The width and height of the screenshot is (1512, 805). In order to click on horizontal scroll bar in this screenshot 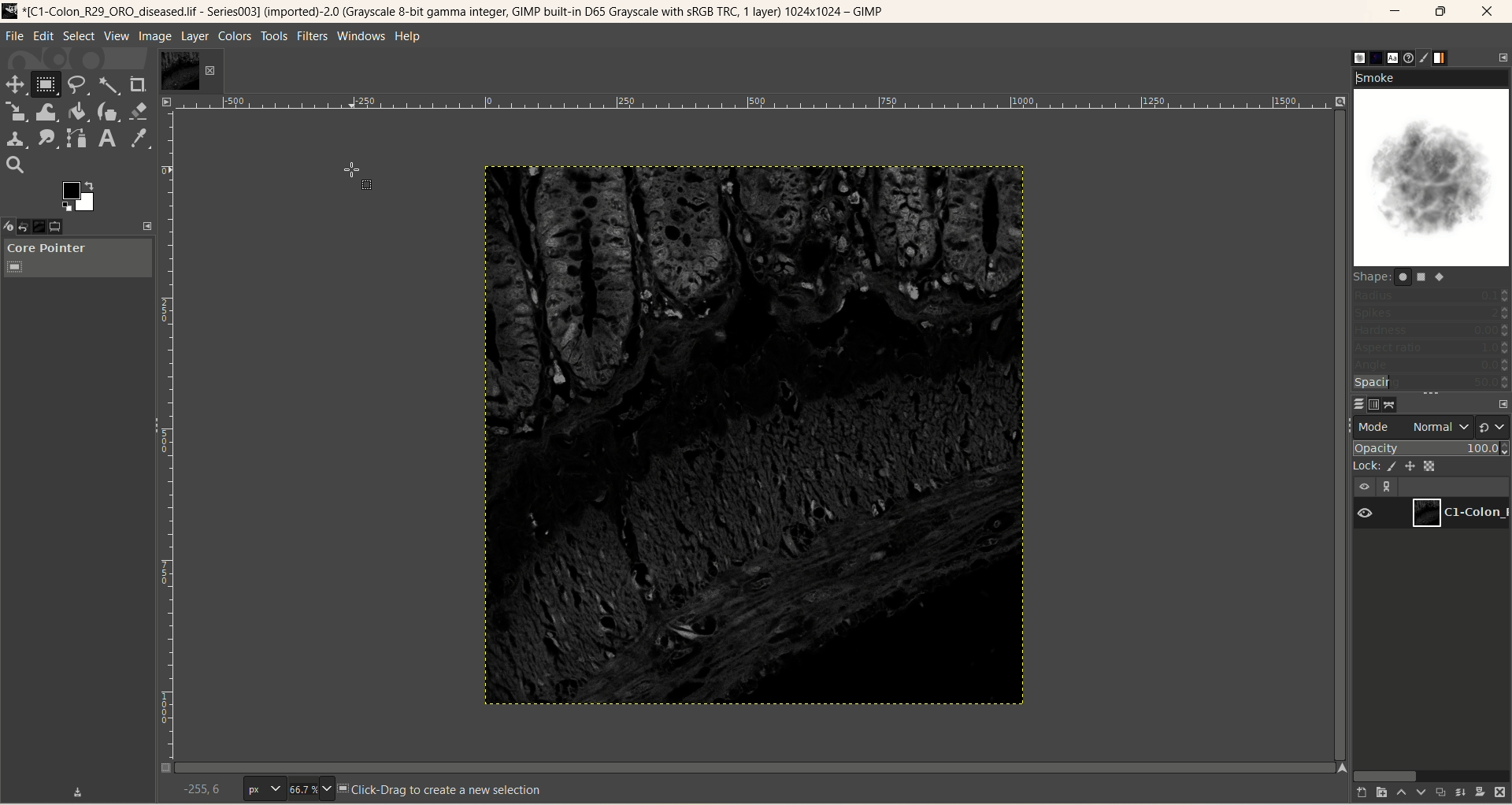, I will do `click(1431, 775)`.